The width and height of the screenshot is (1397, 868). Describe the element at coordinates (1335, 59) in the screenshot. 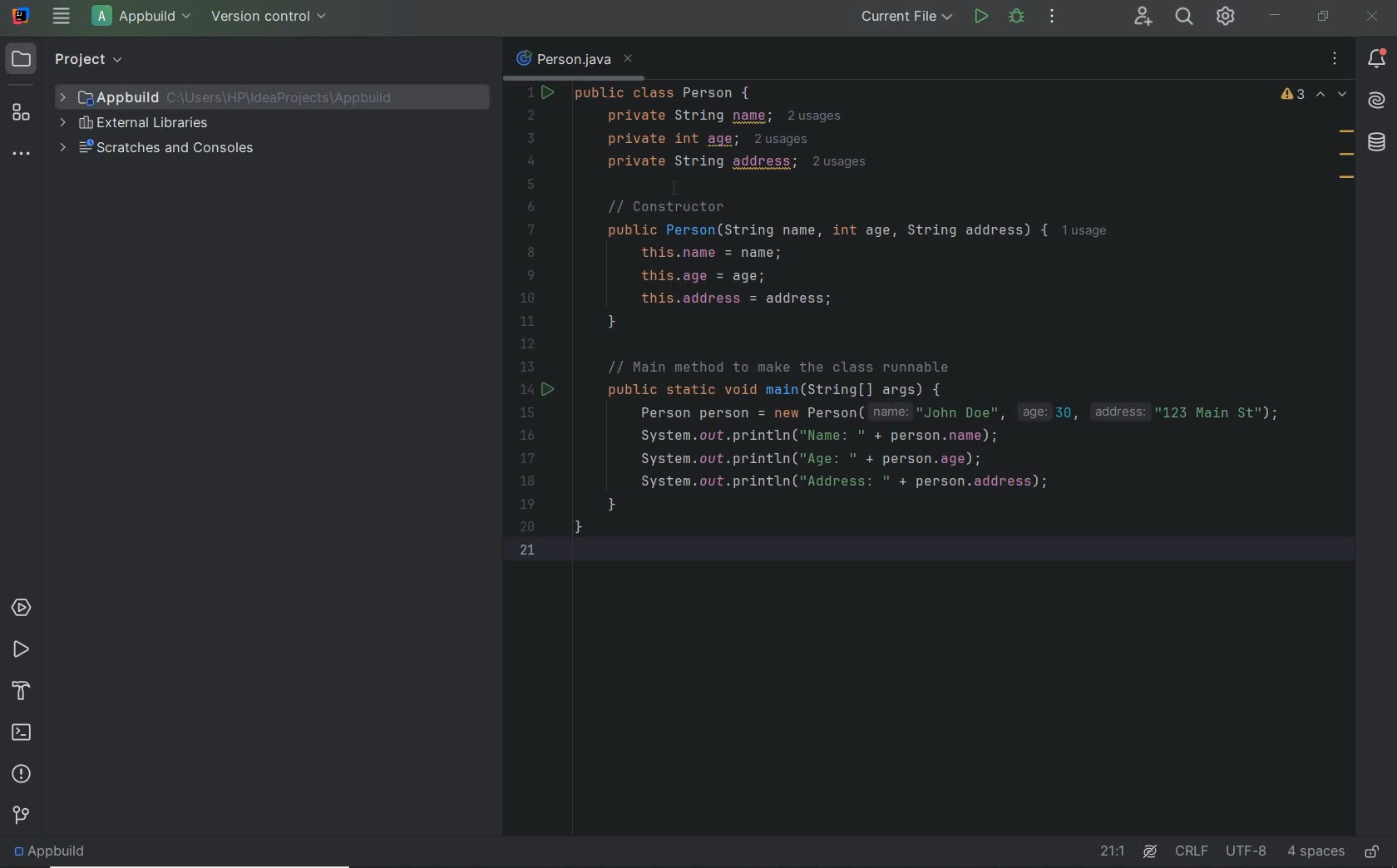

I see `recent files, tab actions` at that location.